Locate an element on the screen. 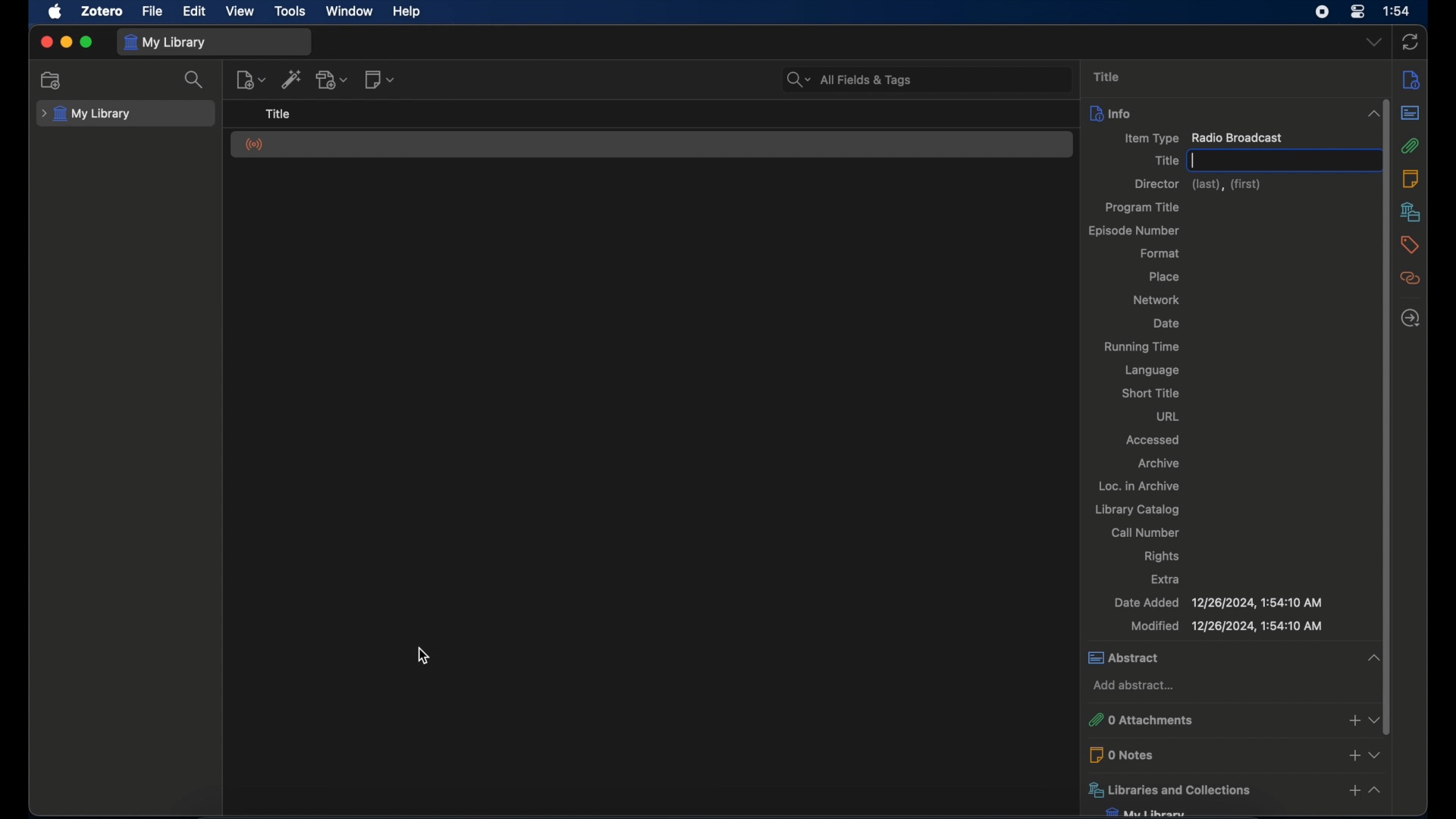 The image size is (1456, 819). place is located at coordinates (1164, 276).